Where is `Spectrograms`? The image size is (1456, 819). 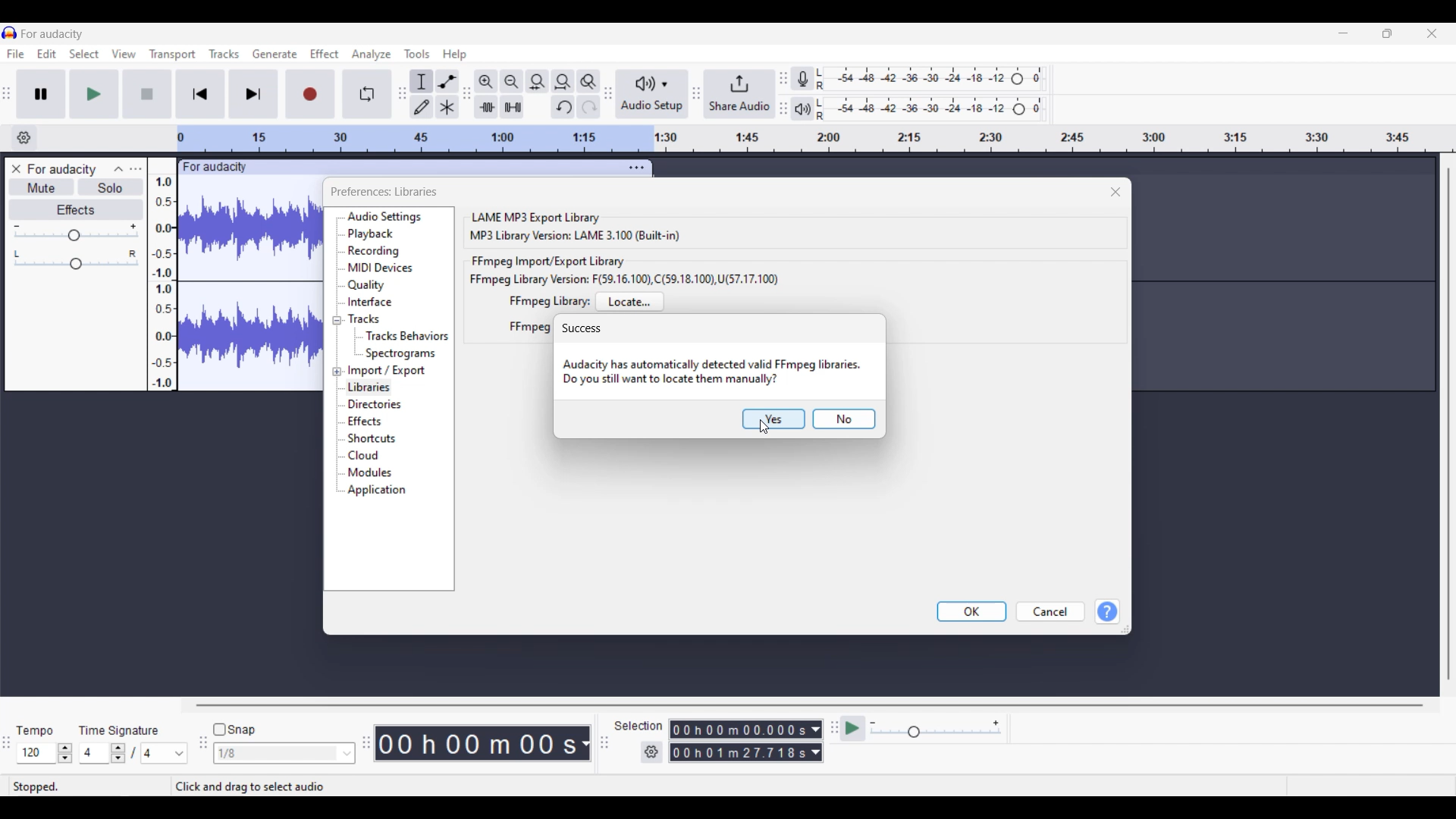 Spectrograms is located at coordinates (403, 353).